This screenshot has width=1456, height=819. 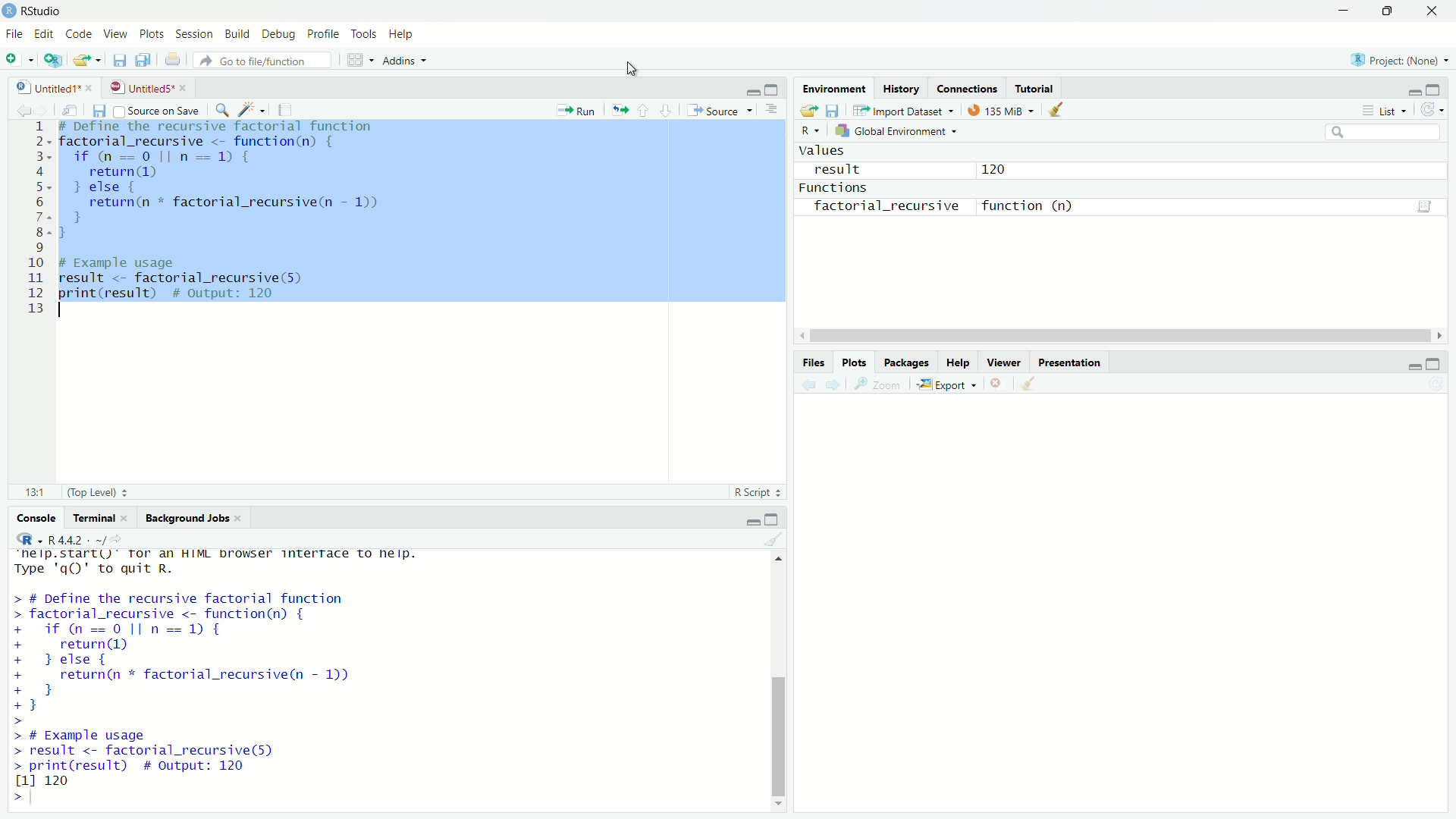 What do you see at coordinates (99, 492) in the screenshot?
I see `(Top Level)` at bounding box center [99, 492].